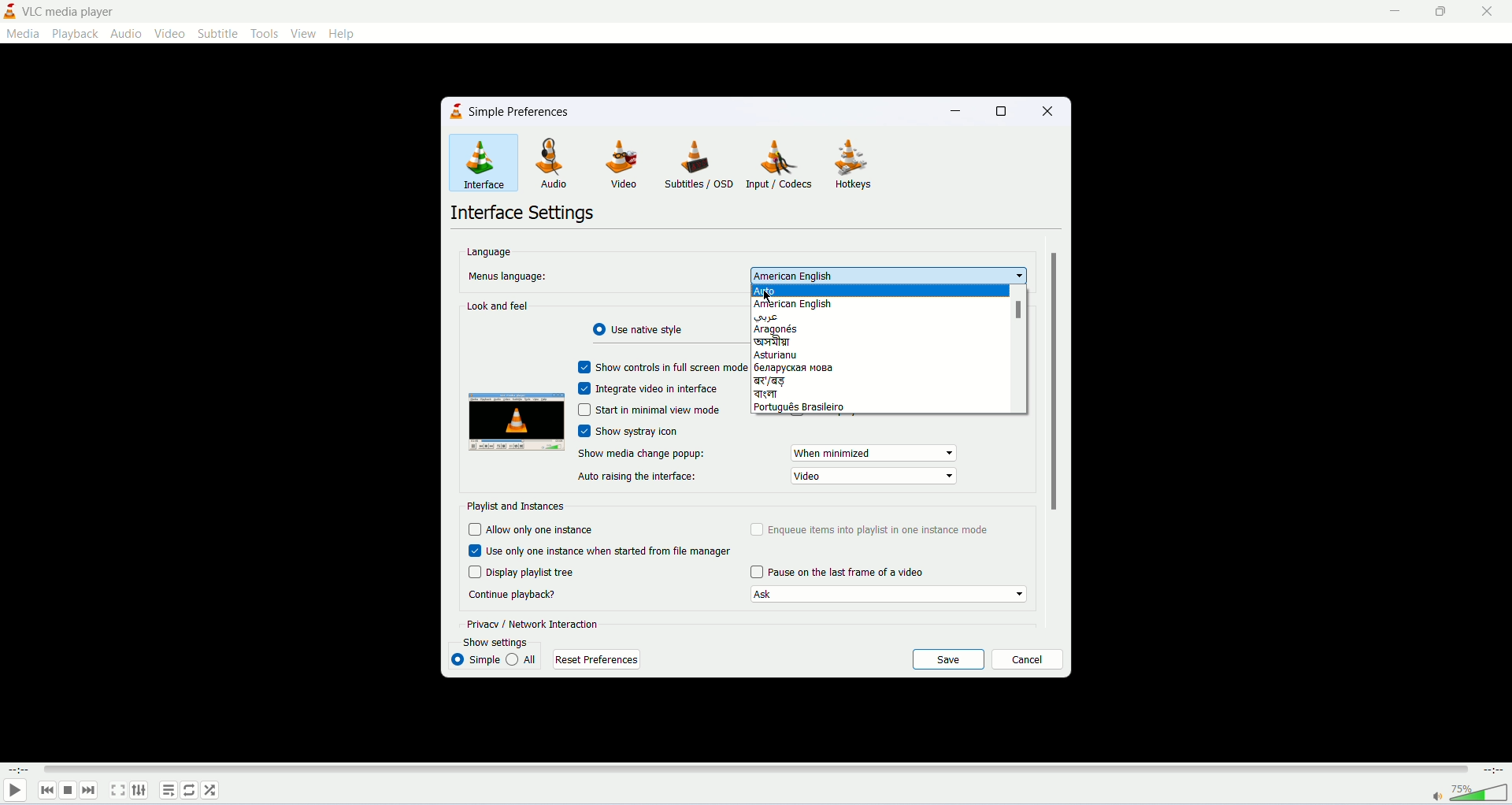  What do you see at coordinates (531, 113) in the screenshot?
I see `simple preferences` at bounding box center [531, 113].